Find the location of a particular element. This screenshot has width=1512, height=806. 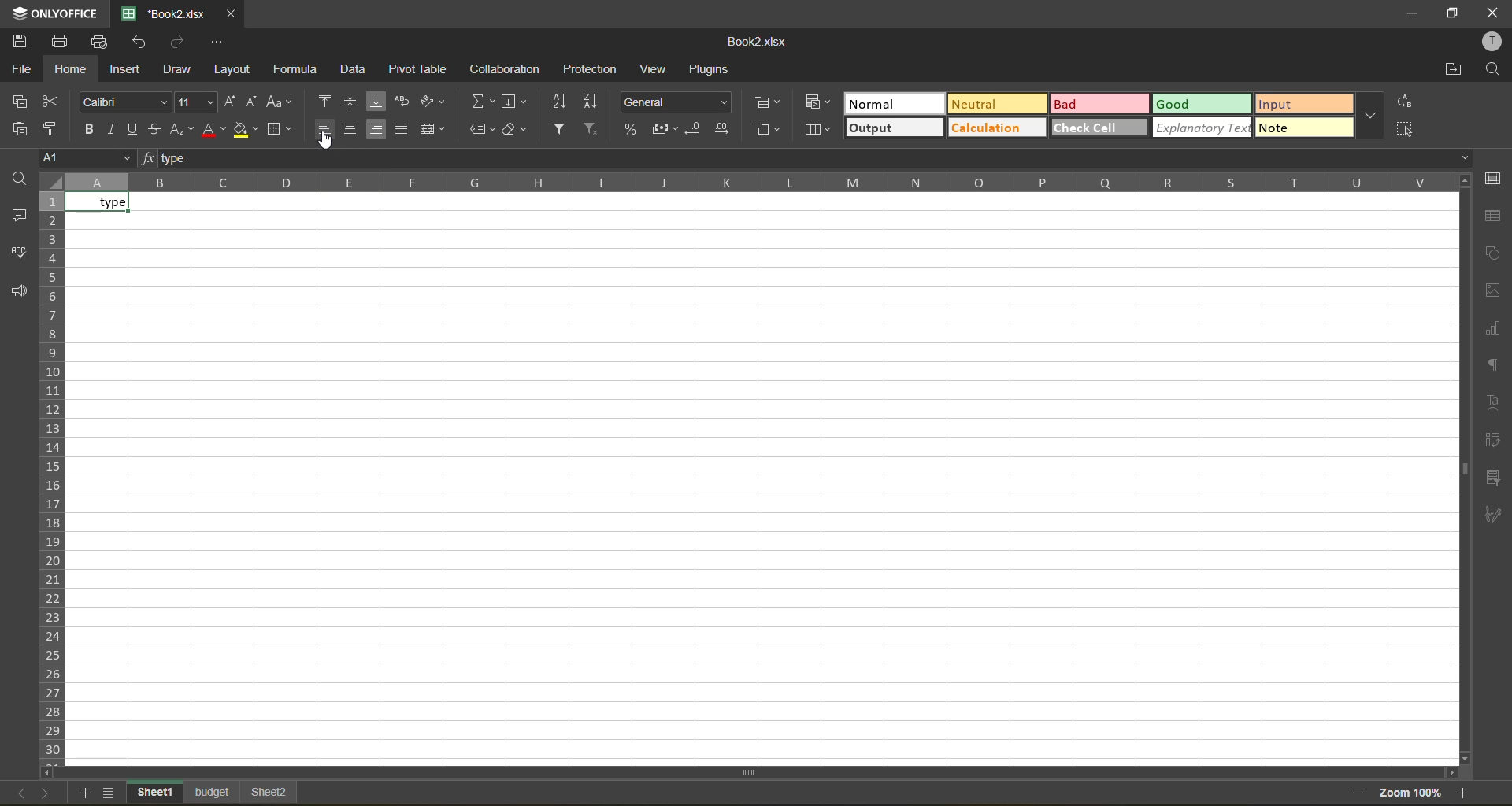

percent is located at coordinates (632, 128).